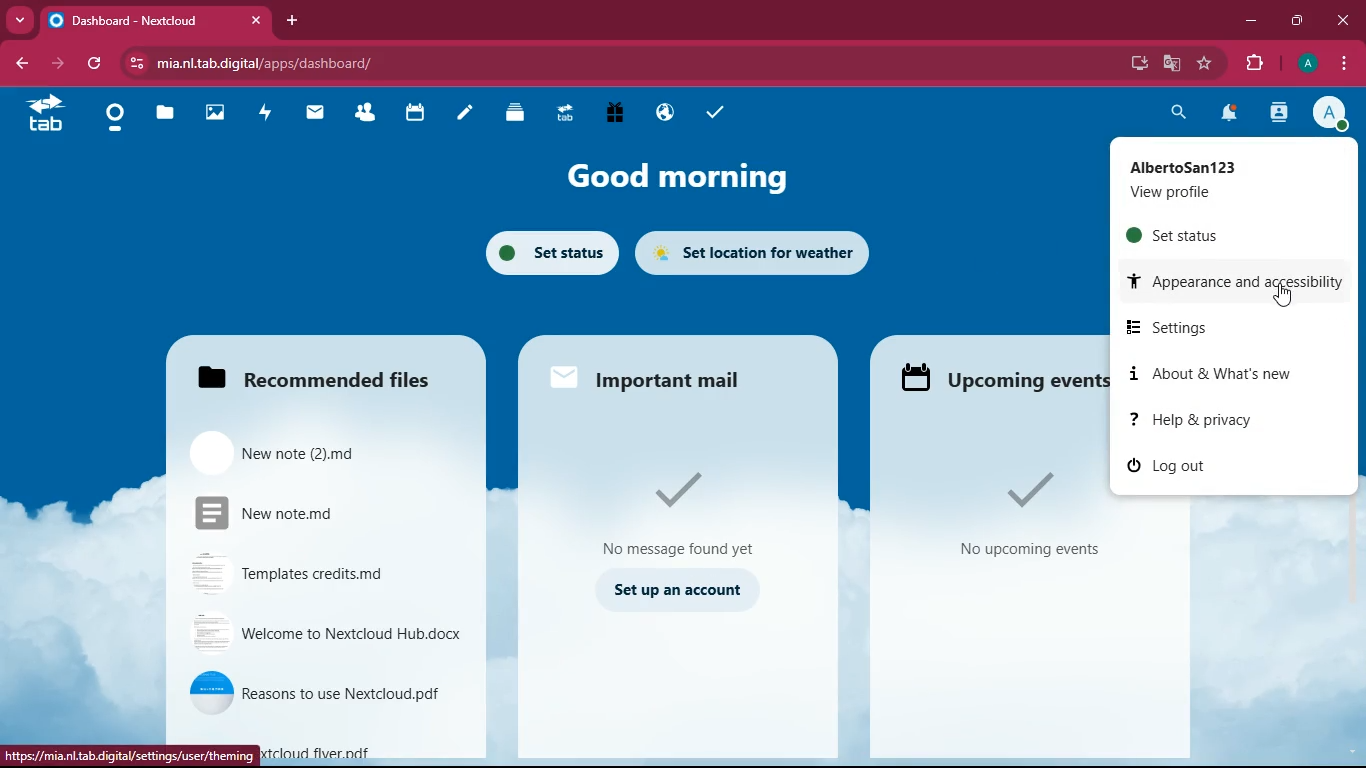 The height and width of the screenshot is (768, 1366). I want to click on recommended files, so click(330, 379).